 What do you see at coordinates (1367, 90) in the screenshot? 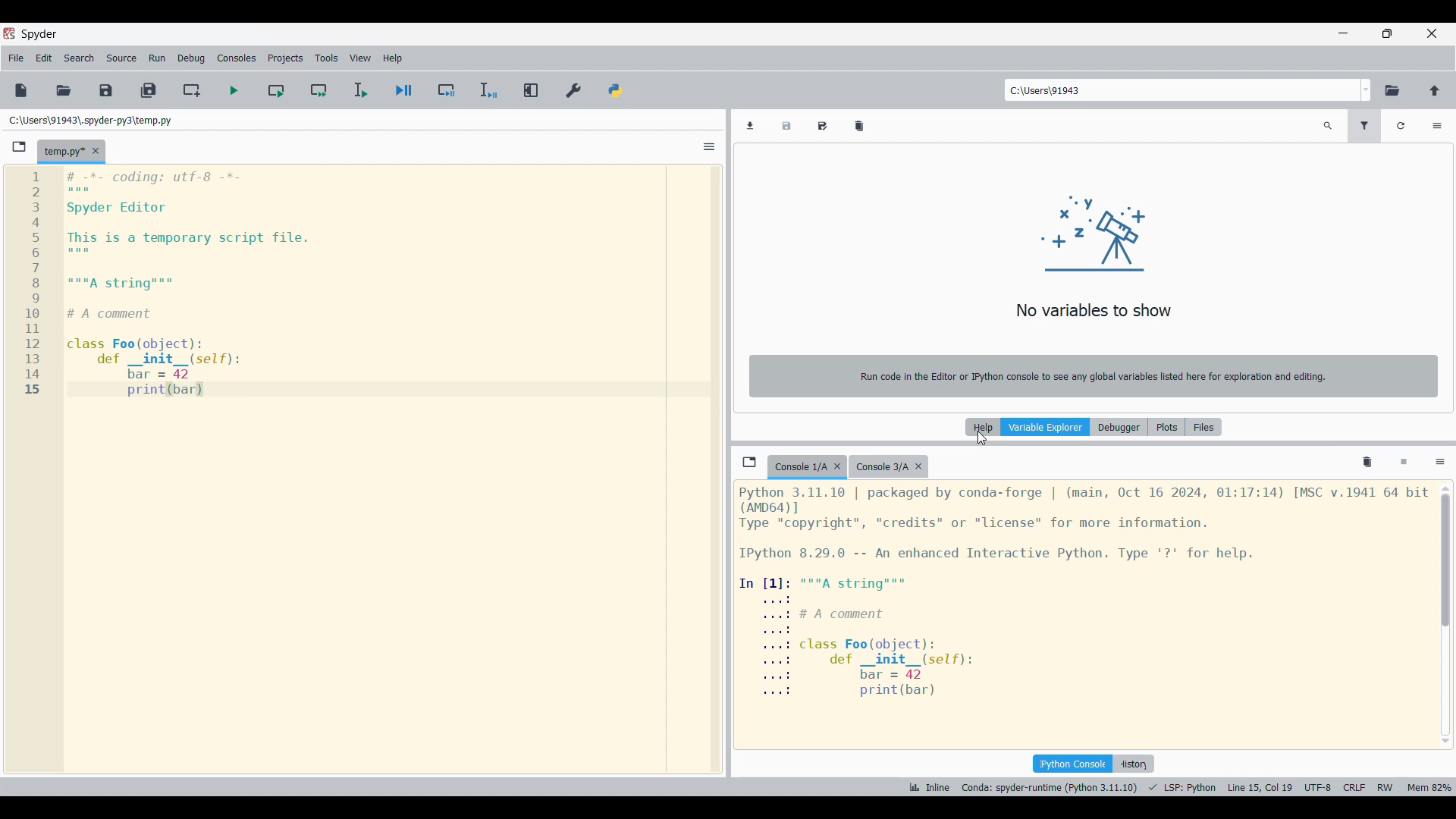
I see `Location options` at bounding box center [1367, 90].